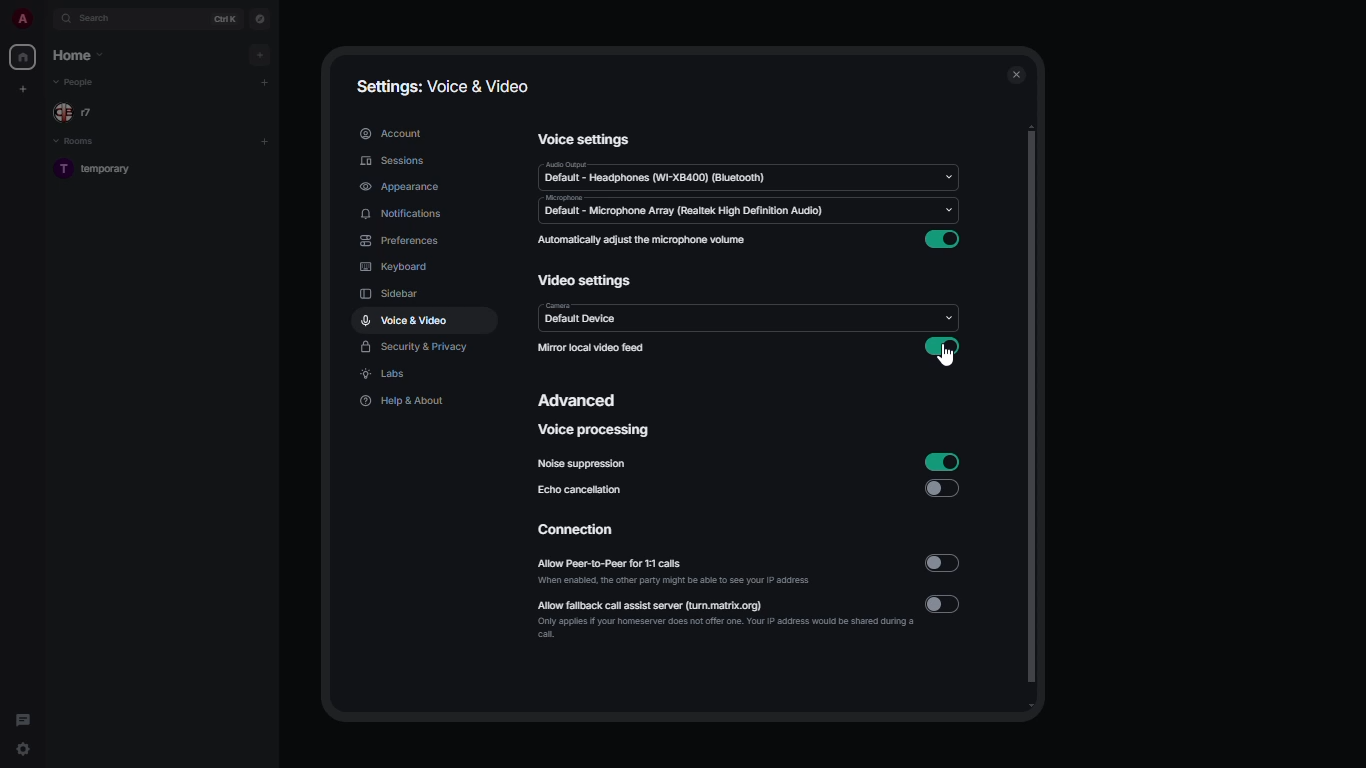  Describe the element at coordinates (100, 18) in the screenshot. I see `search` at that location.